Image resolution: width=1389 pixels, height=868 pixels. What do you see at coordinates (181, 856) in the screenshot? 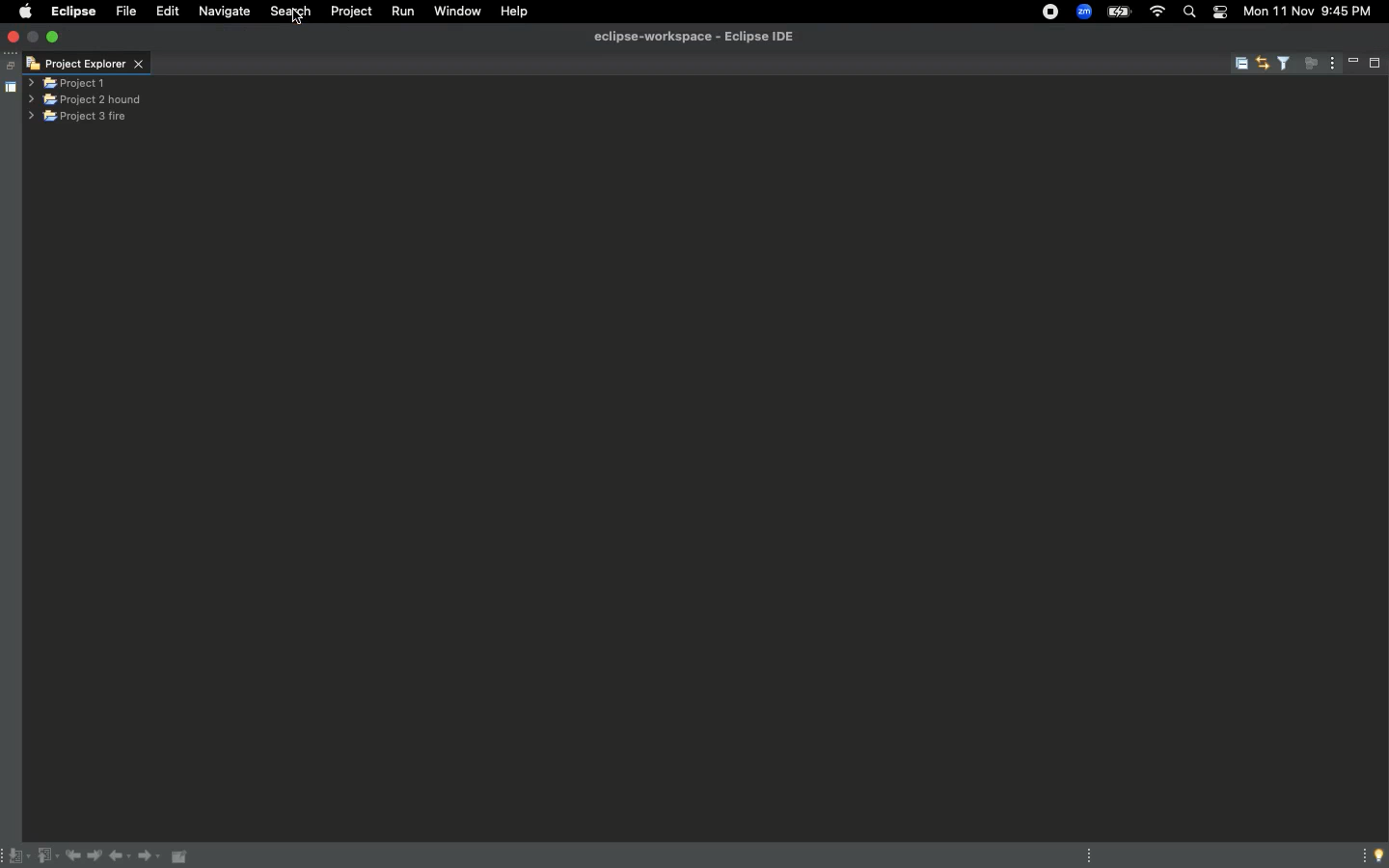
I see `Pin editor` at bounding box center [181, 856].